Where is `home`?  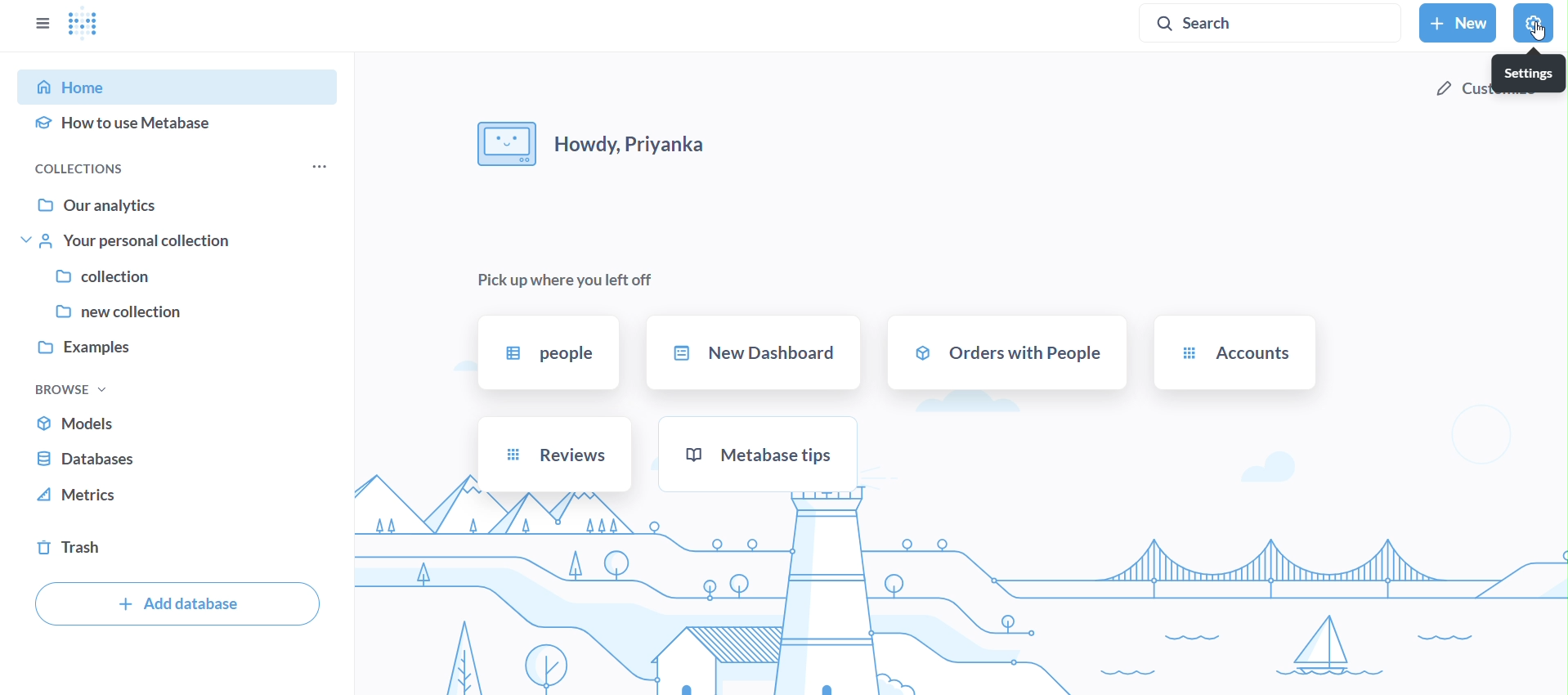
home is located at coordinates (181, 85).